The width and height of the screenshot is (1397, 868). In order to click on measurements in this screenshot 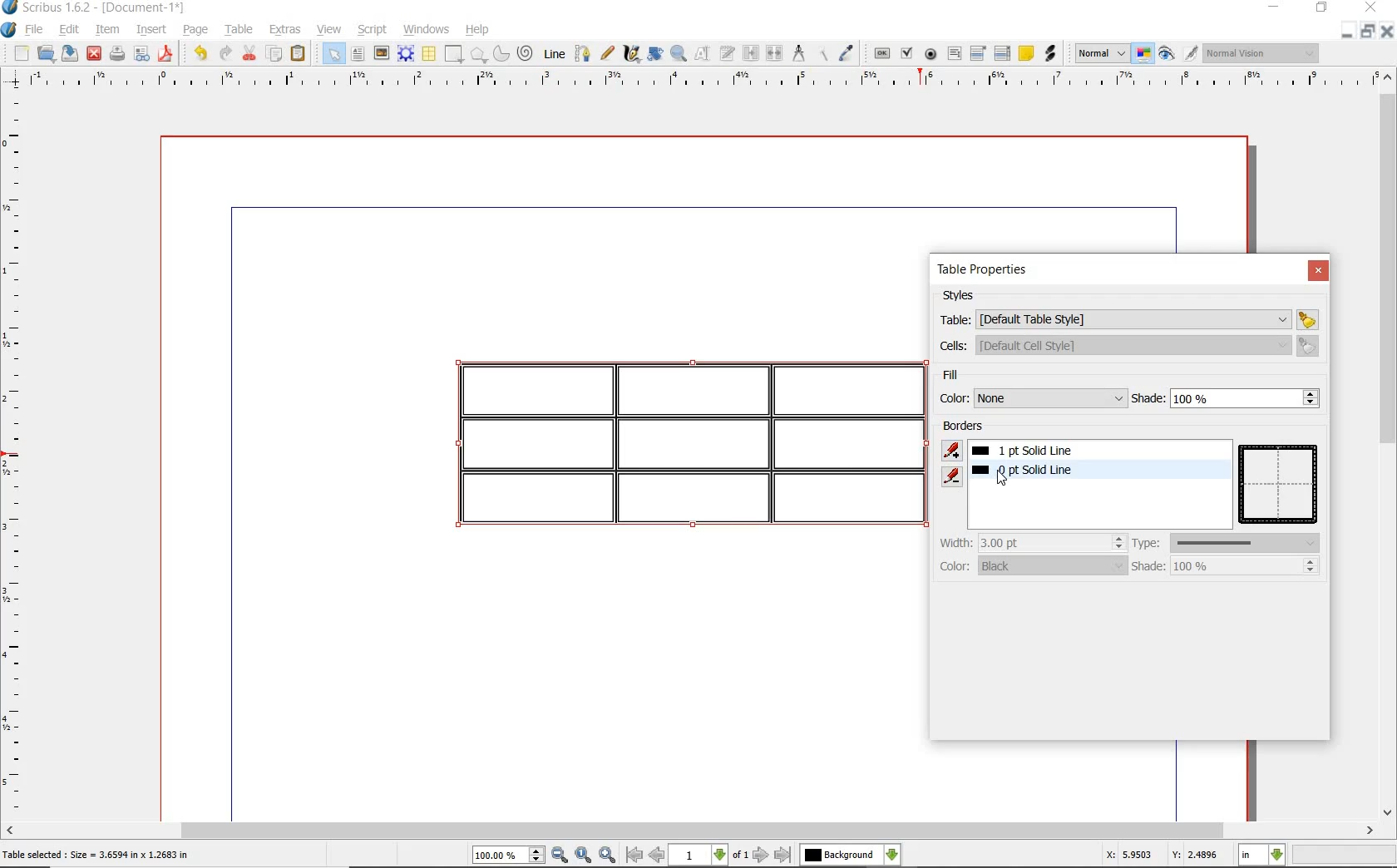, I will do `click(799, 52)`.